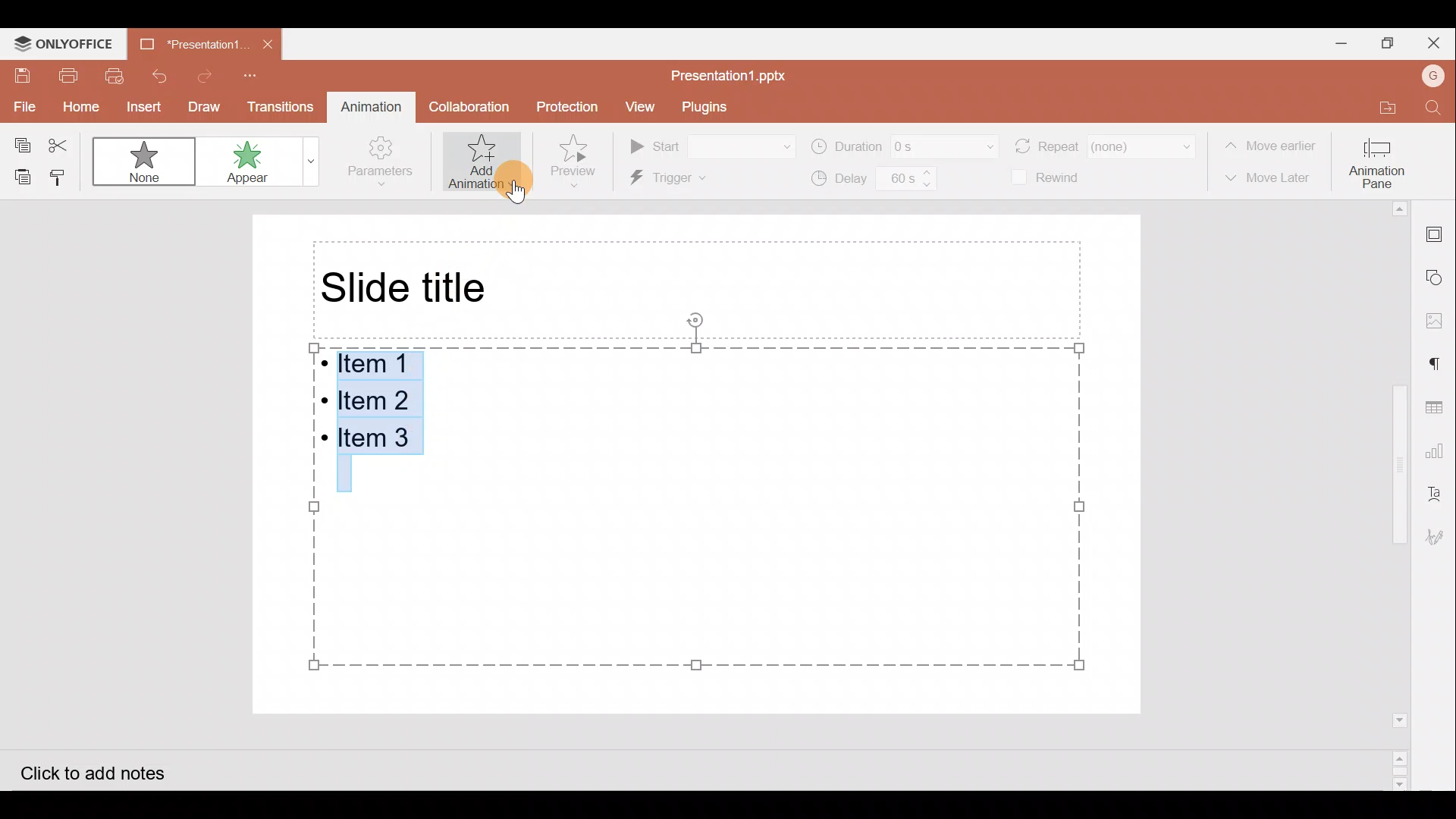 The width and height of the screenshot is (1456, 819). I want to click on Paragraph setting, so click(1442, 366).